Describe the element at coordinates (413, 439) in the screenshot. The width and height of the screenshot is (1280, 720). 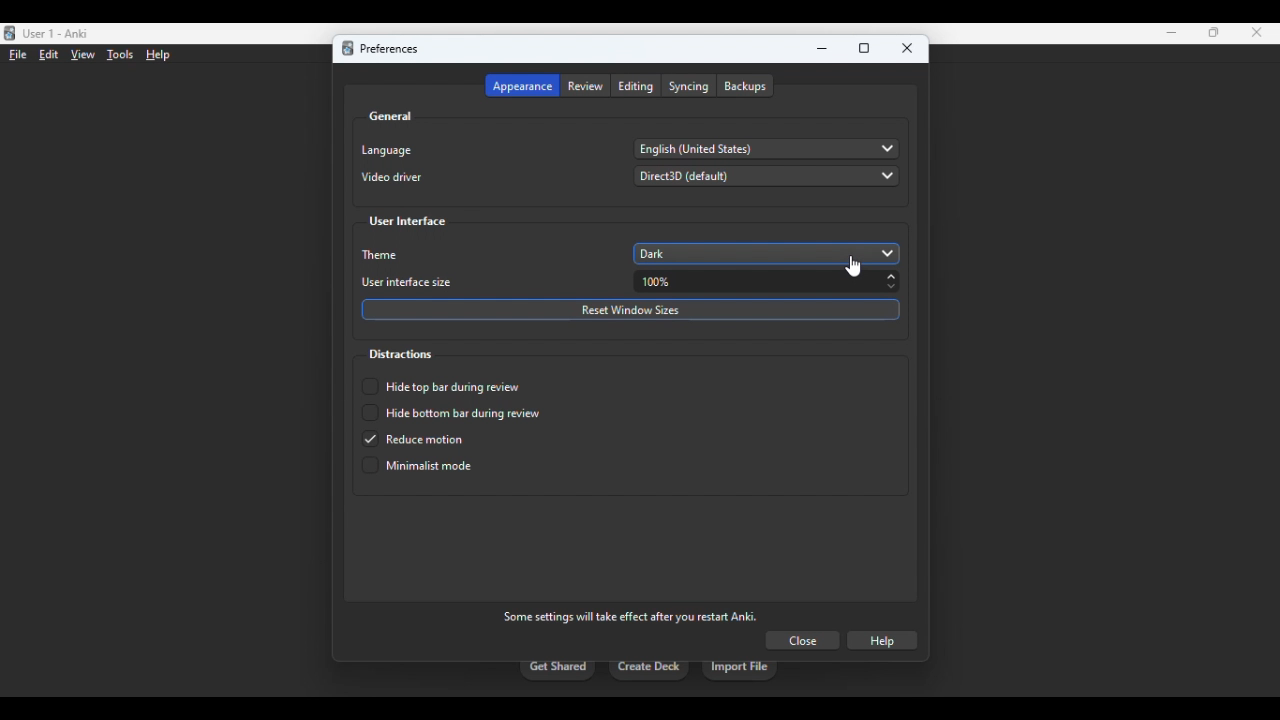
I see `reduce motion` at that location.